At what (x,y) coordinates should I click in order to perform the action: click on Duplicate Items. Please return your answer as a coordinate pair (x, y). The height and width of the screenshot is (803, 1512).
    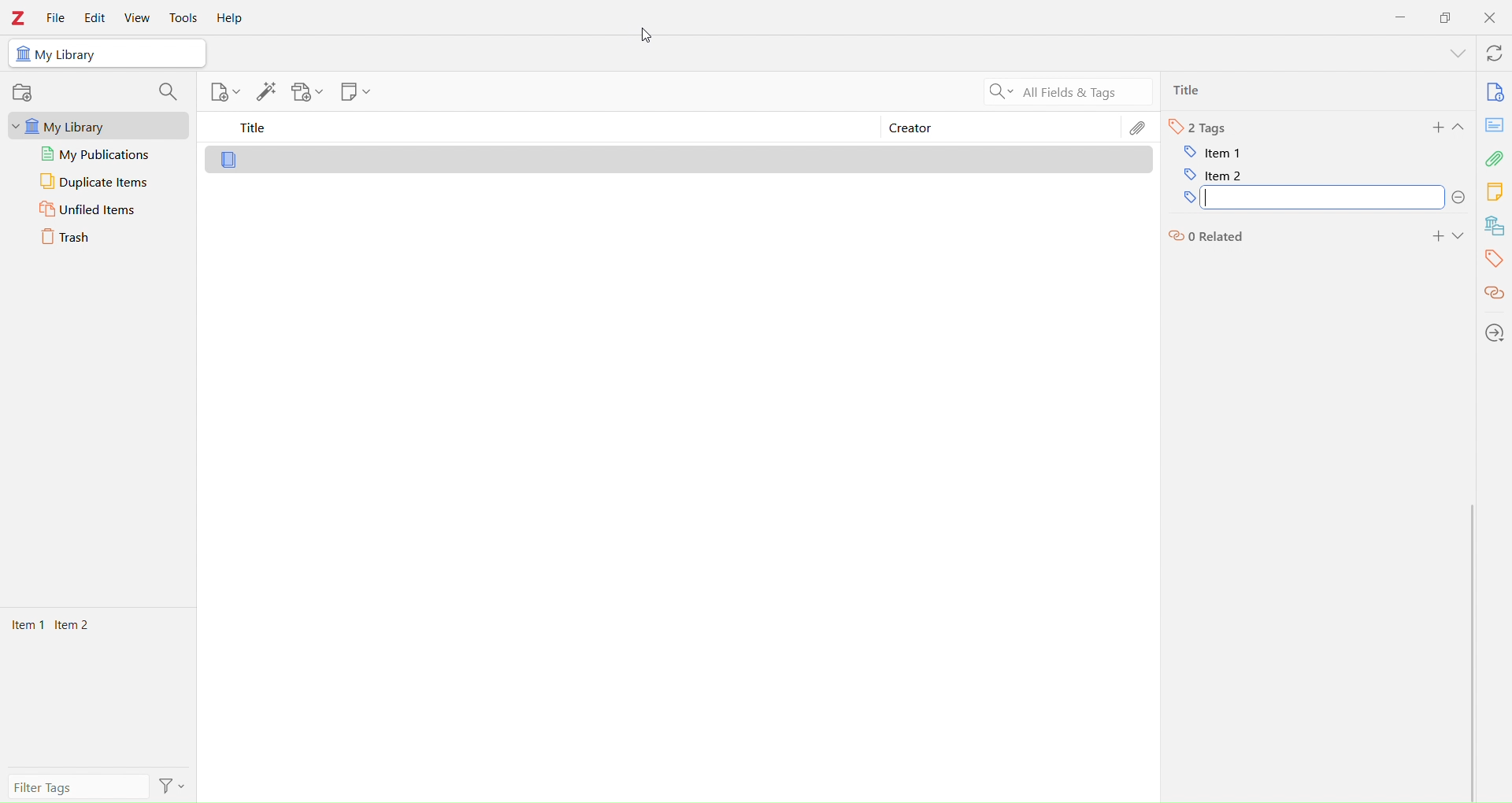
    Looking at the image, I should click on (99, 183).